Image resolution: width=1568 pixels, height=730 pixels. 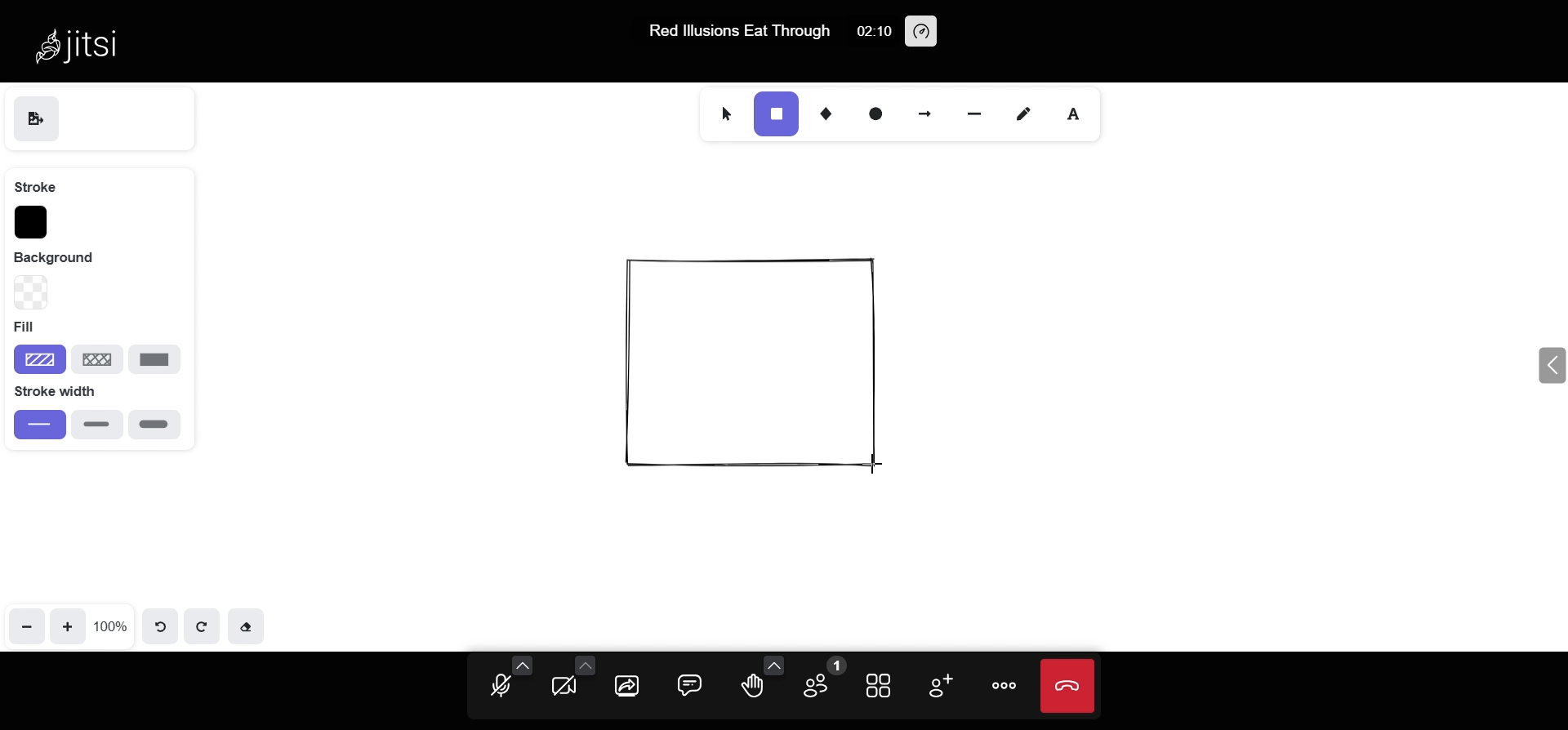 I want to click on zoom in, so click(x=68, y=625).